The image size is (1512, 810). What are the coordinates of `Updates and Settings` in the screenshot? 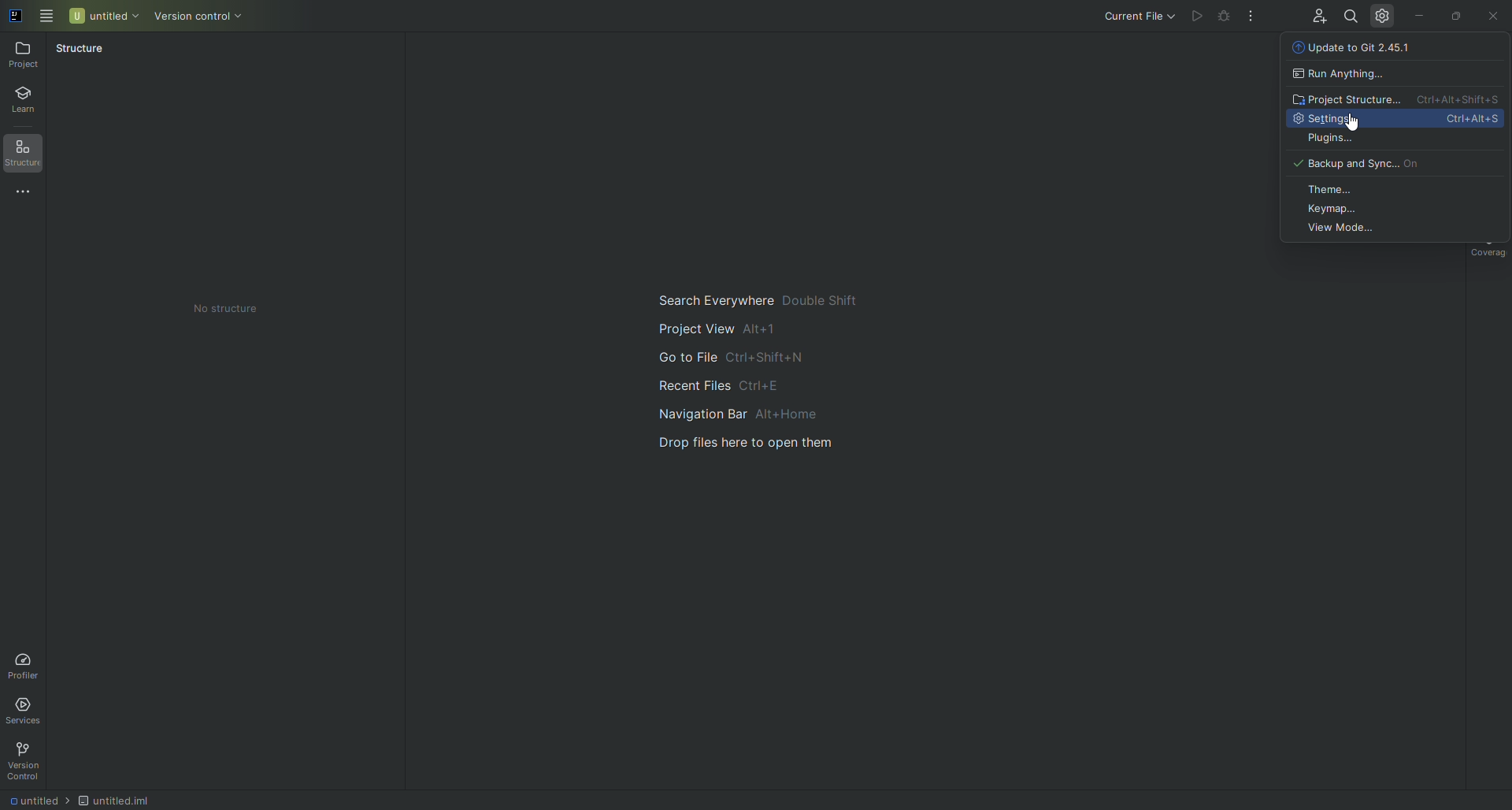 It's located at (1380, 17).